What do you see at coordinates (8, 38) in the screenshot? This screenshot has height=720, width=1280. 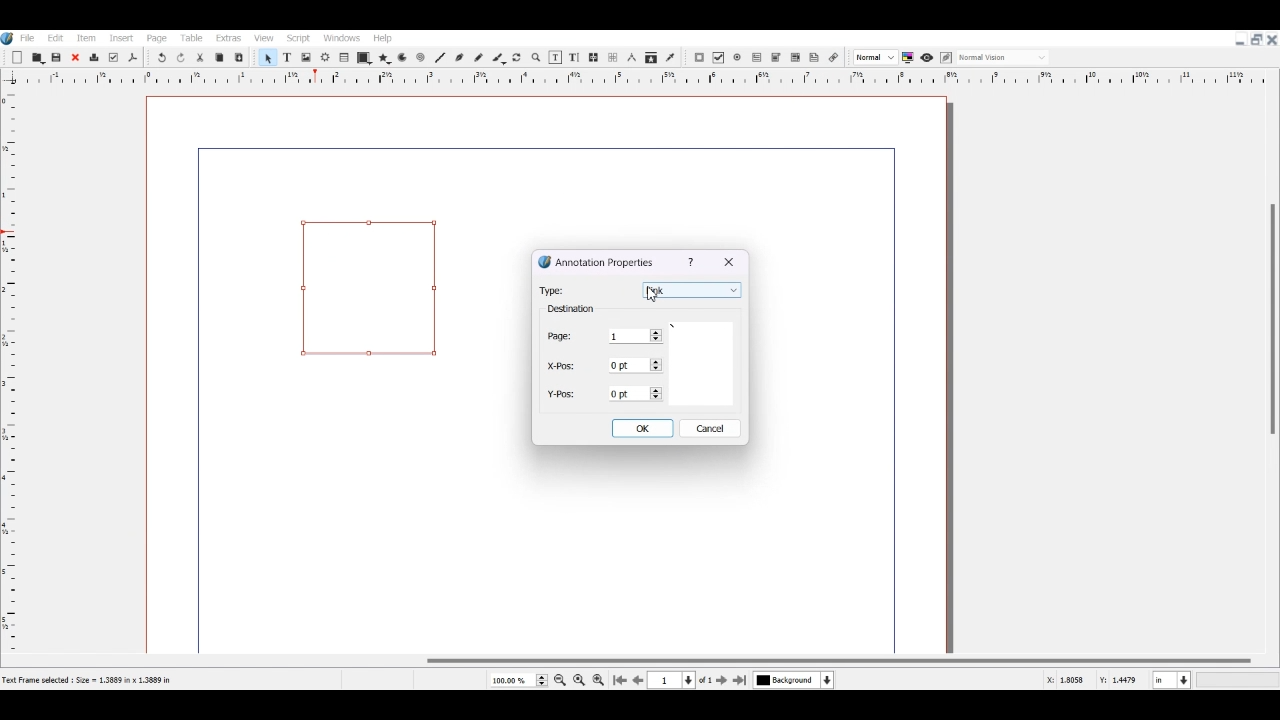 I see `Logo` at bounding box center [8, 38].